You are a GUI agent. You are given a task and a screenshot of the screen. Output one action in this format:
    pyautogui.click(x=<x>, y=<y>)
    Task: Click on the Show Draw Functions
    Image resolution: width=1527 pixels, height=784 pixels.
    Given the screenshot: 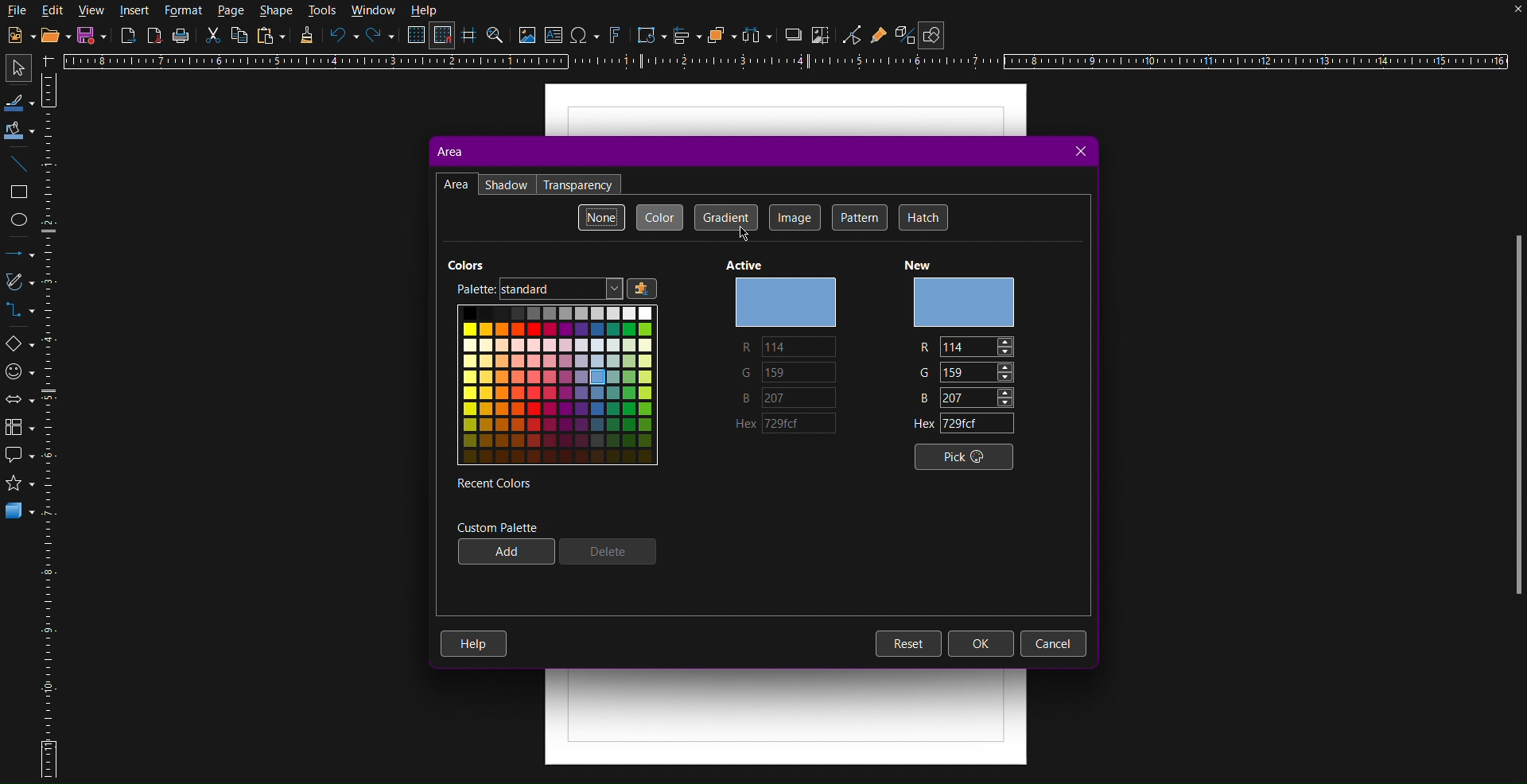 What is the action you would take?
    pyautogui.click(x=934, y=32)
    